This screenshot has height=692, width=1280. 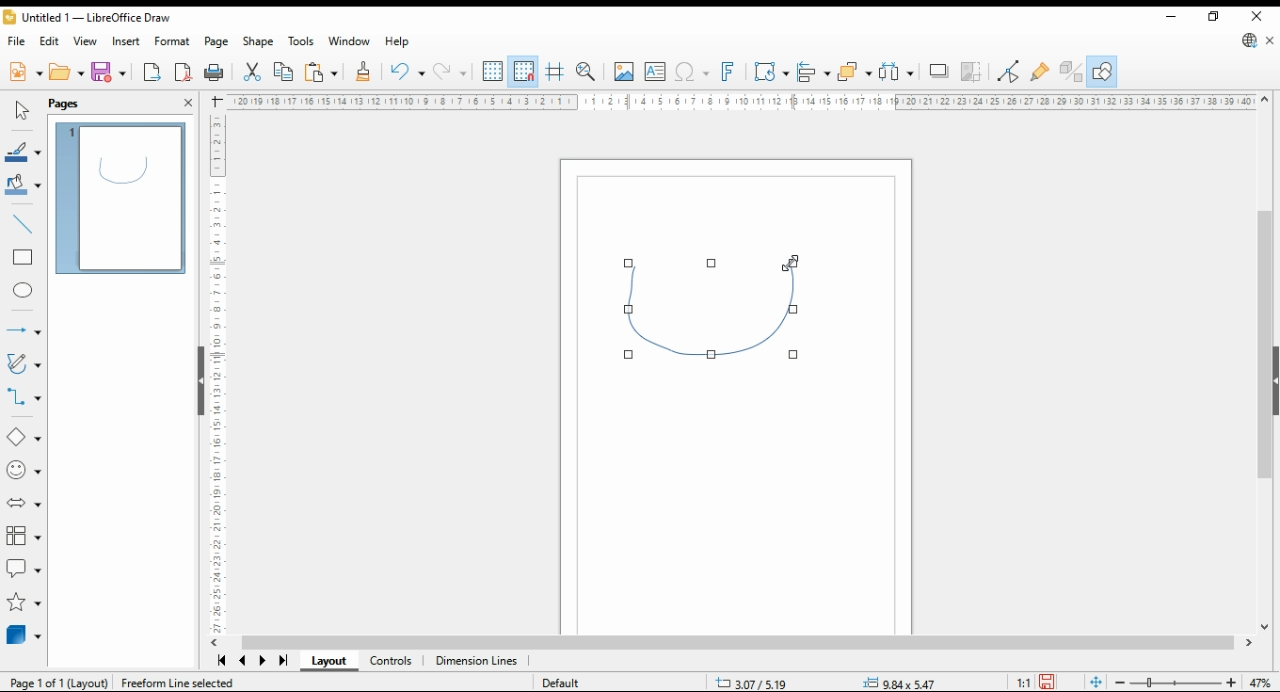 What do you see at coordinates (221, 660) in the screenshot?
I see `first page` at bounding box center [221, 660].